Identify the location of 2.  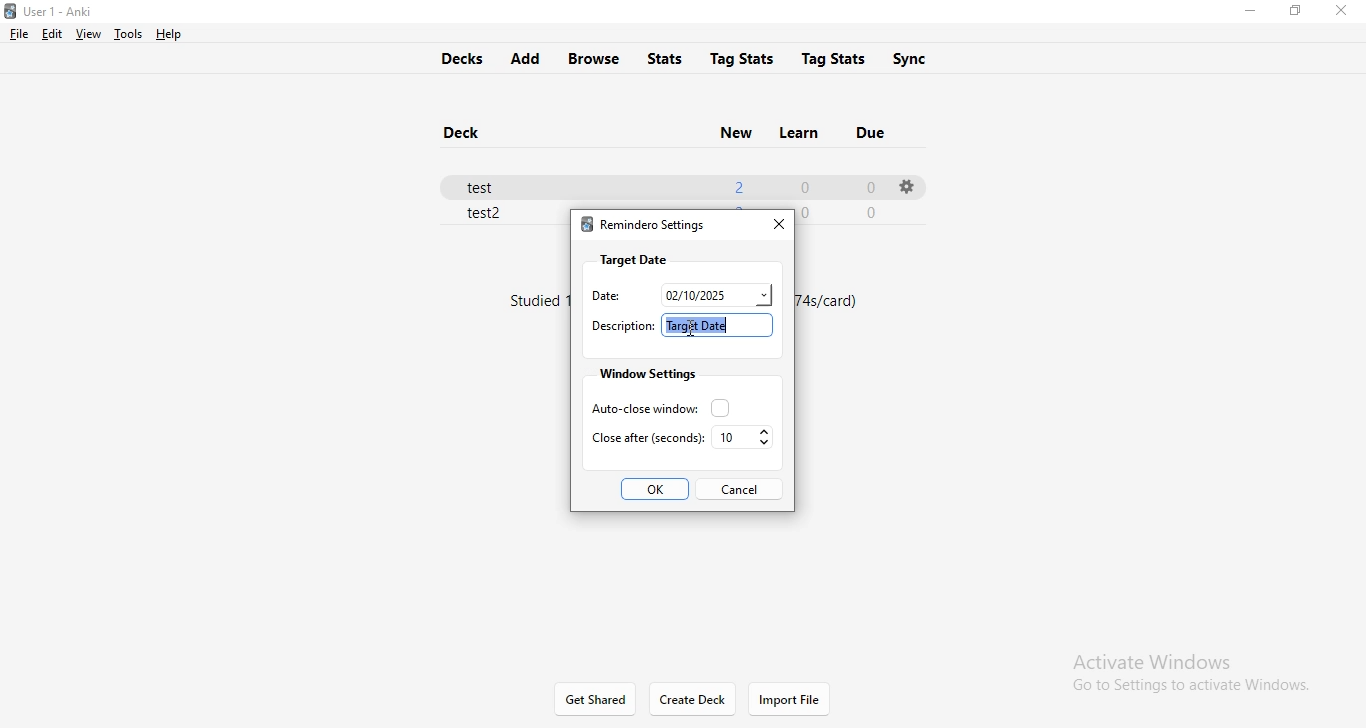
(737, 184).